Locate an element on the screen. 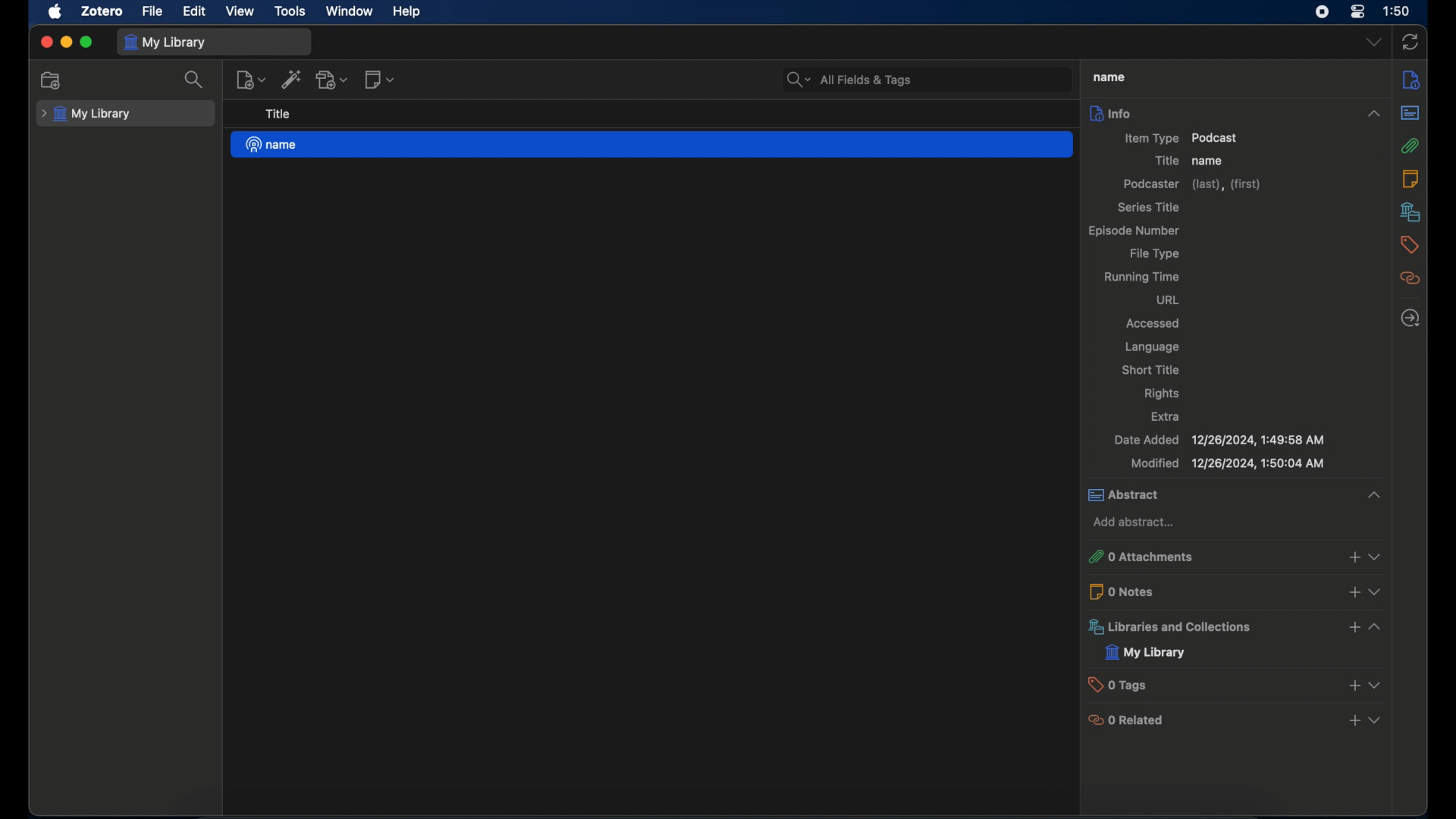 This screenshot has height=819, width=1456. item type podcast is located at coordinates (1182, 138).